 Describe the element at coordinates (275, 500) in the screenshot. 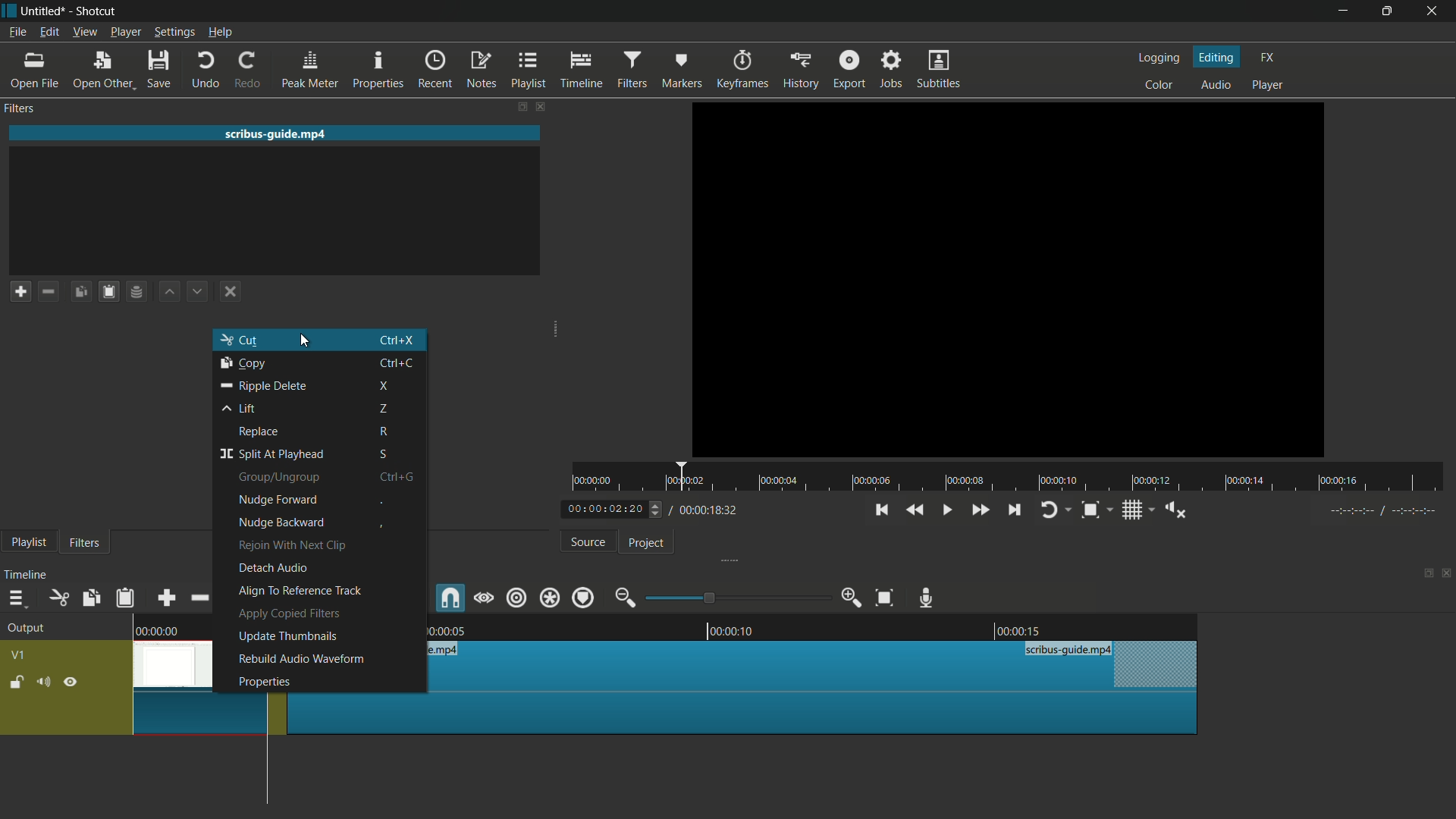

I see `nudge forward` at that location.